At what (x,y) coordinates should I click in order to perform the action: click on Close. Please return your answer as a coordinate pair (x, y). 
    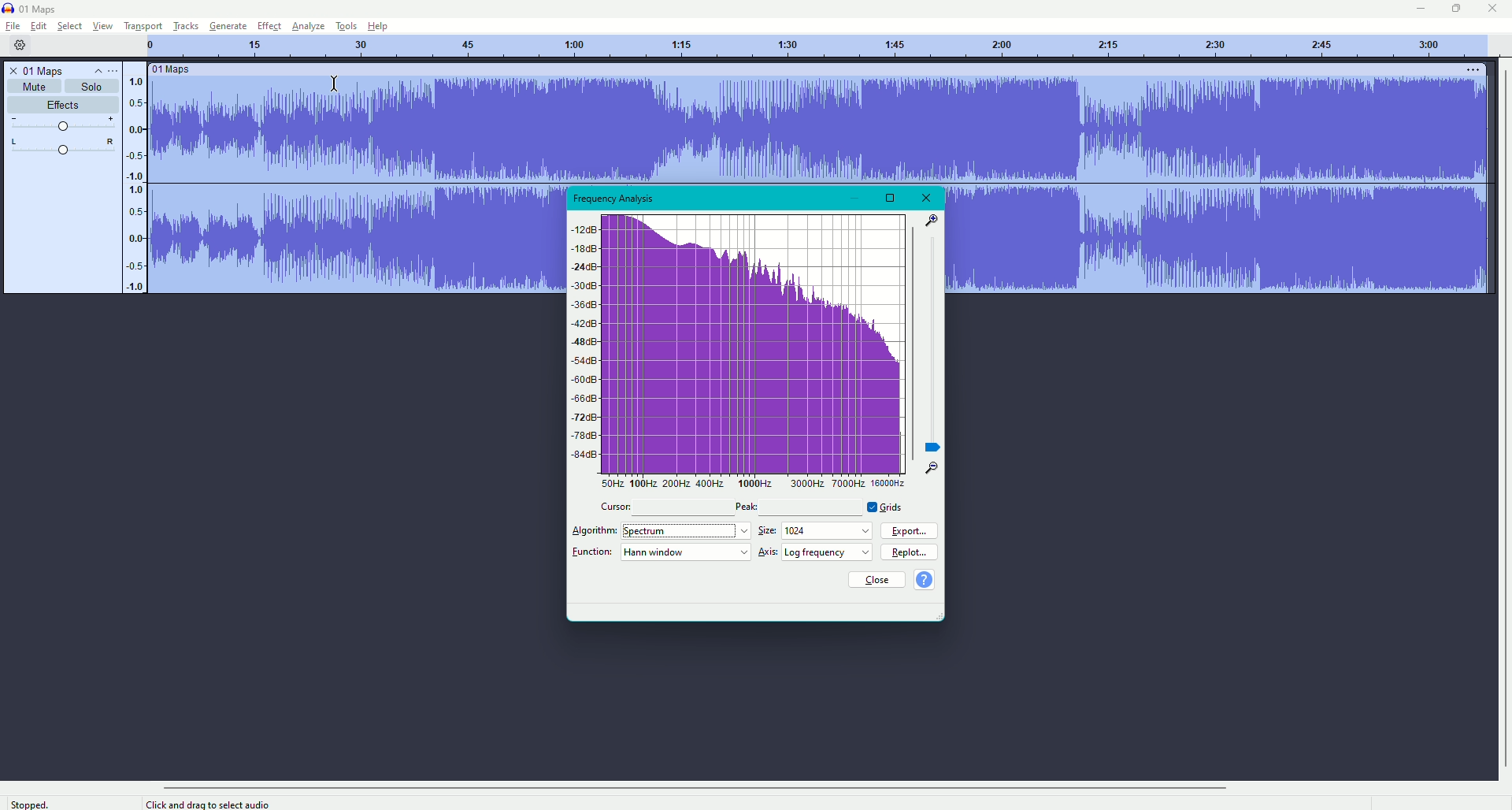
    Looking at the image, I should click on (928, 198).